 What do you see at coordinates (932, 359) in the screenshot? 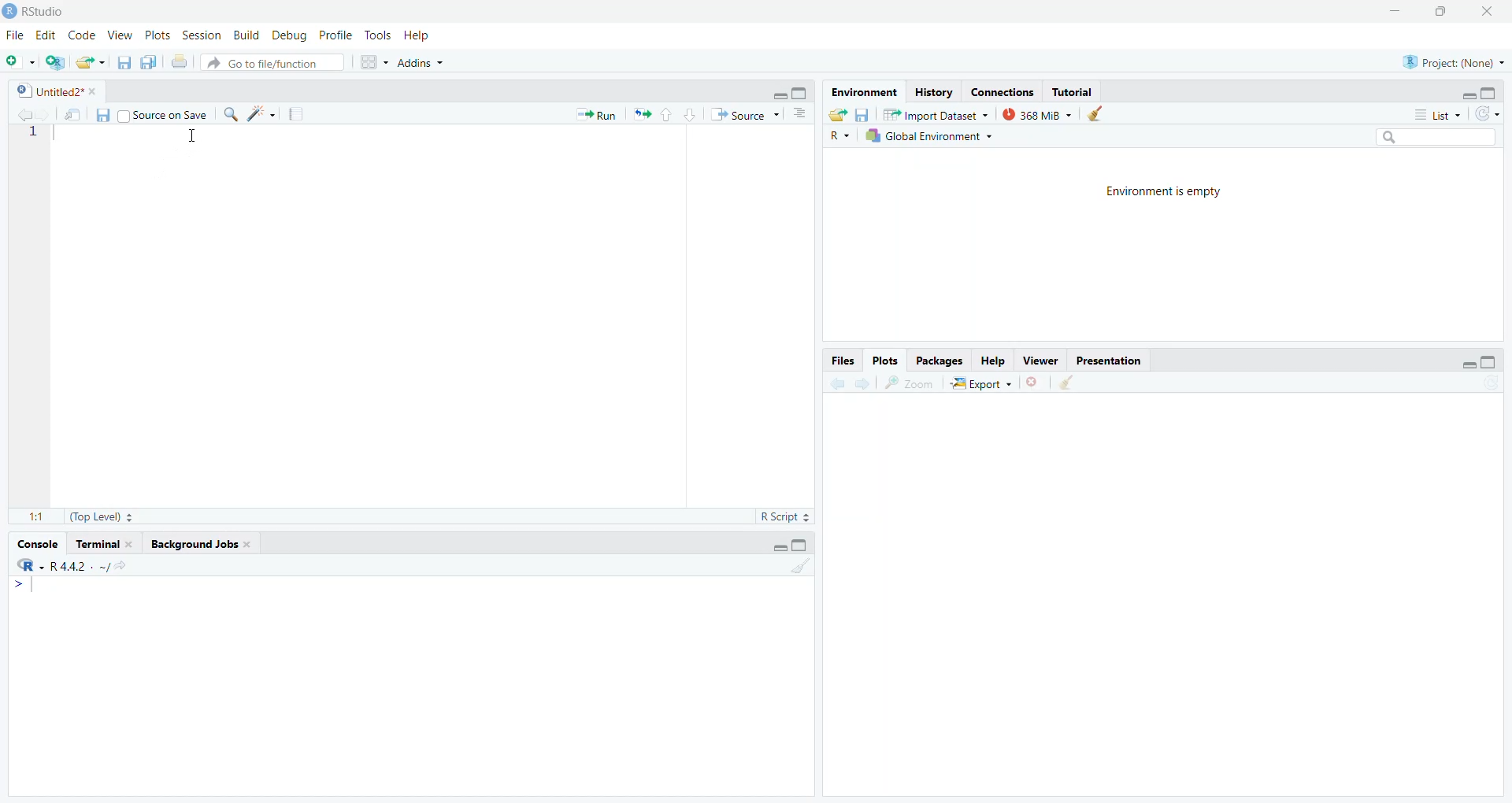
I see `Packages` at bounding box center [932, 359].